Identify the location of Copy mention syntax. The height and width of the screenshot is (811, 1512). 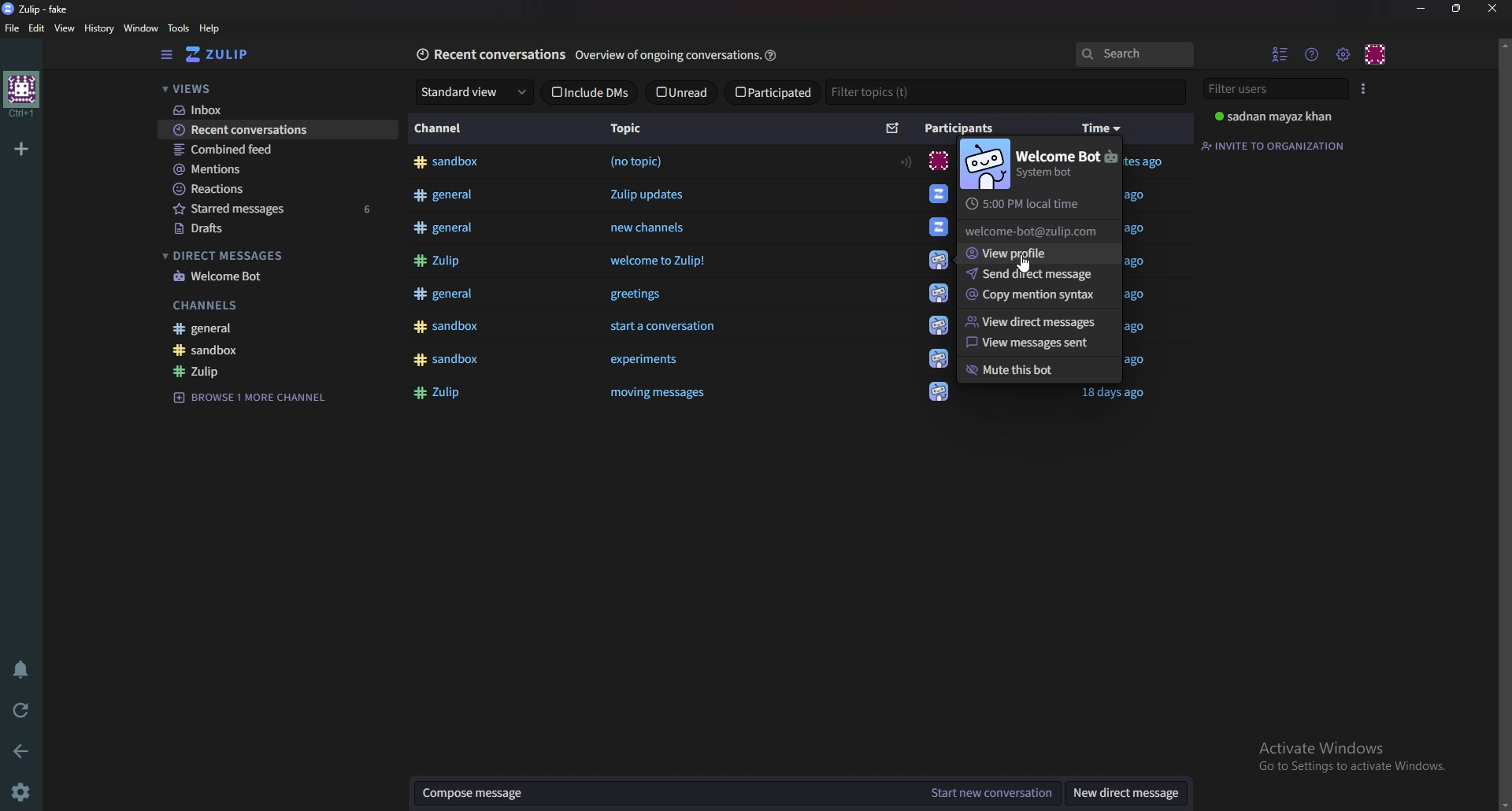
(1036, 295).